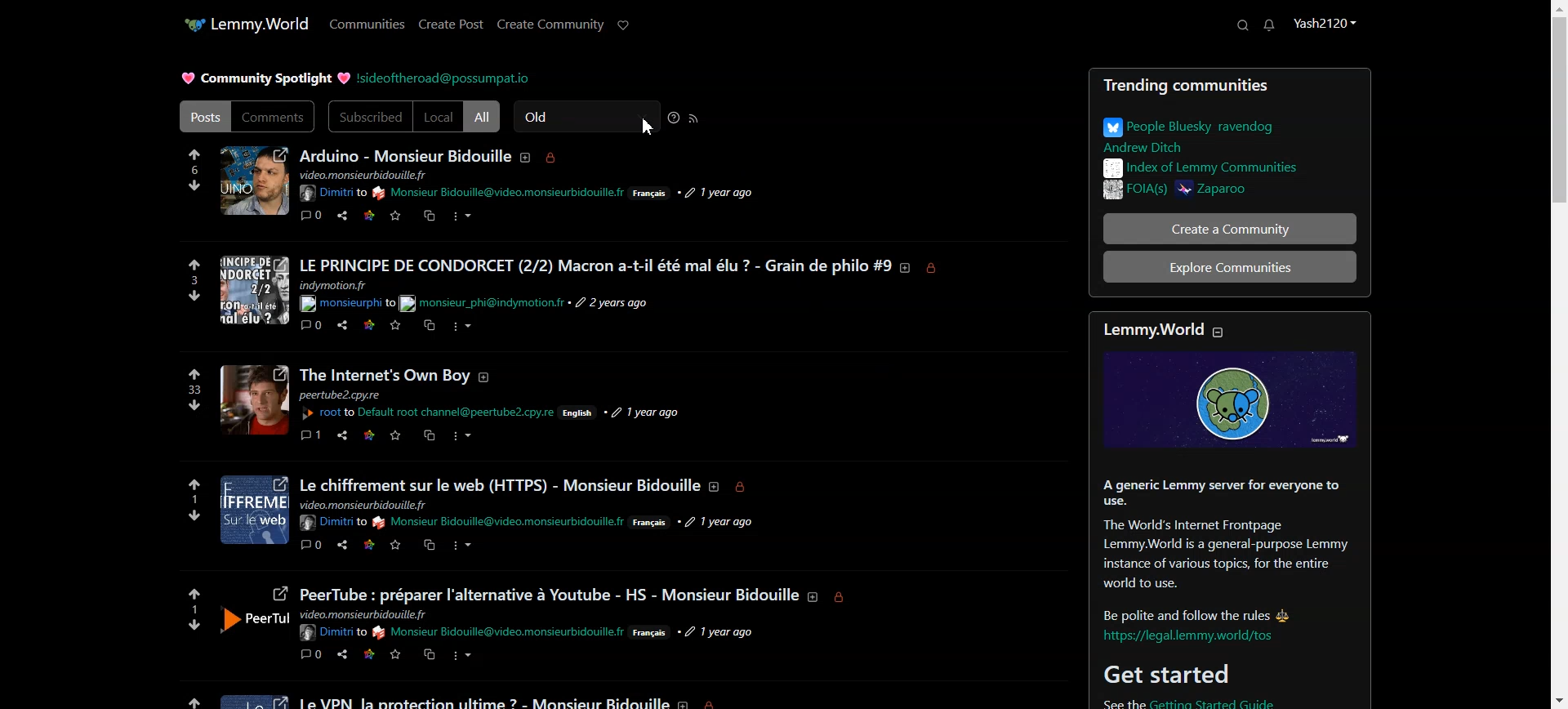 This screenshot has height=709, width=1568. I want to click on FOIA(s), so click(1130, 191).